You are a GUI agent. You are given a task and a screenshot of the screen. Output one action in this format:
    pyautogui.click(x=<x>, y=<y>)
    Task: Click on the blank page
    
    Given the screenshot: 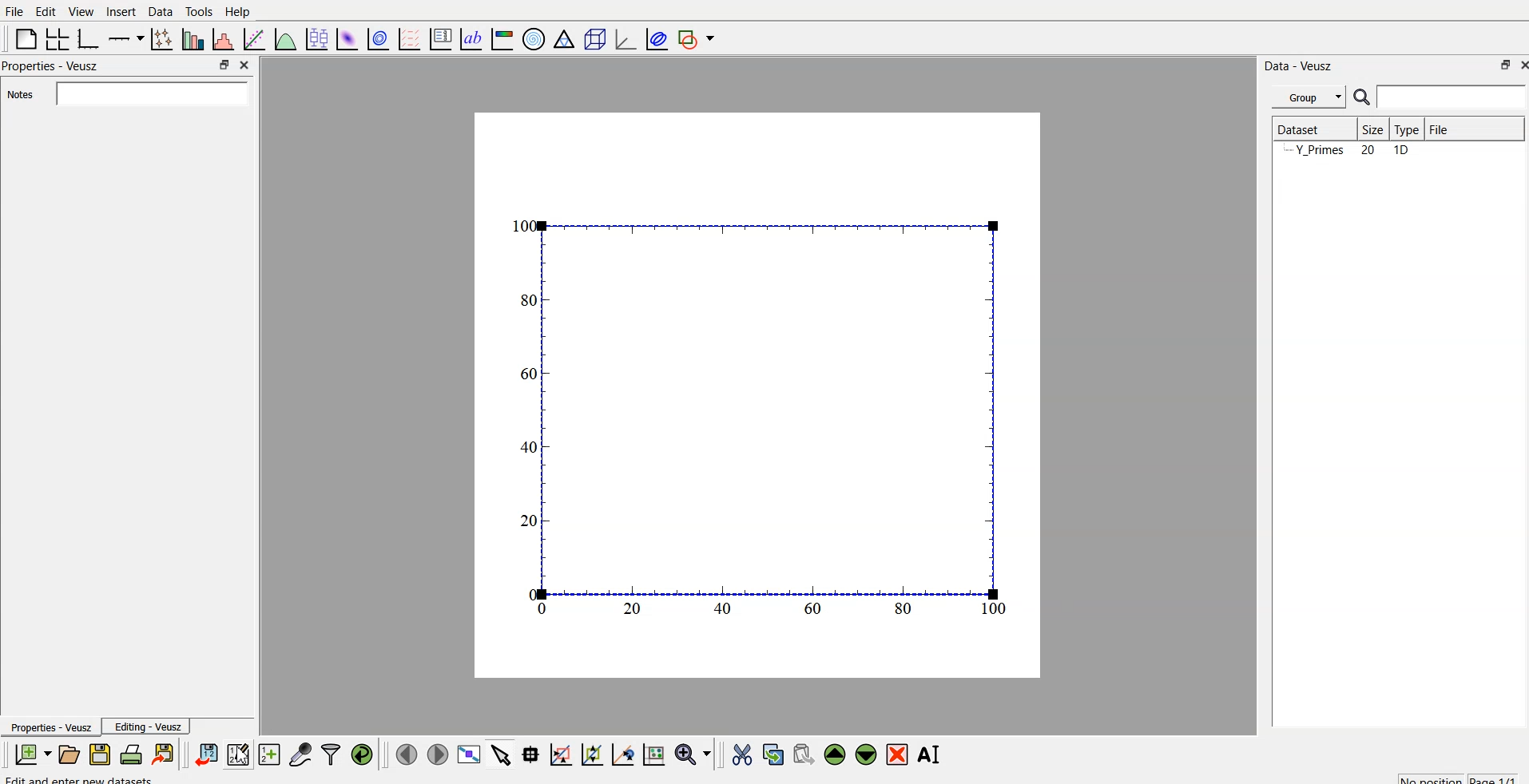 What is the action you would take?
    pyautogui.click(x=22, y=38)
    